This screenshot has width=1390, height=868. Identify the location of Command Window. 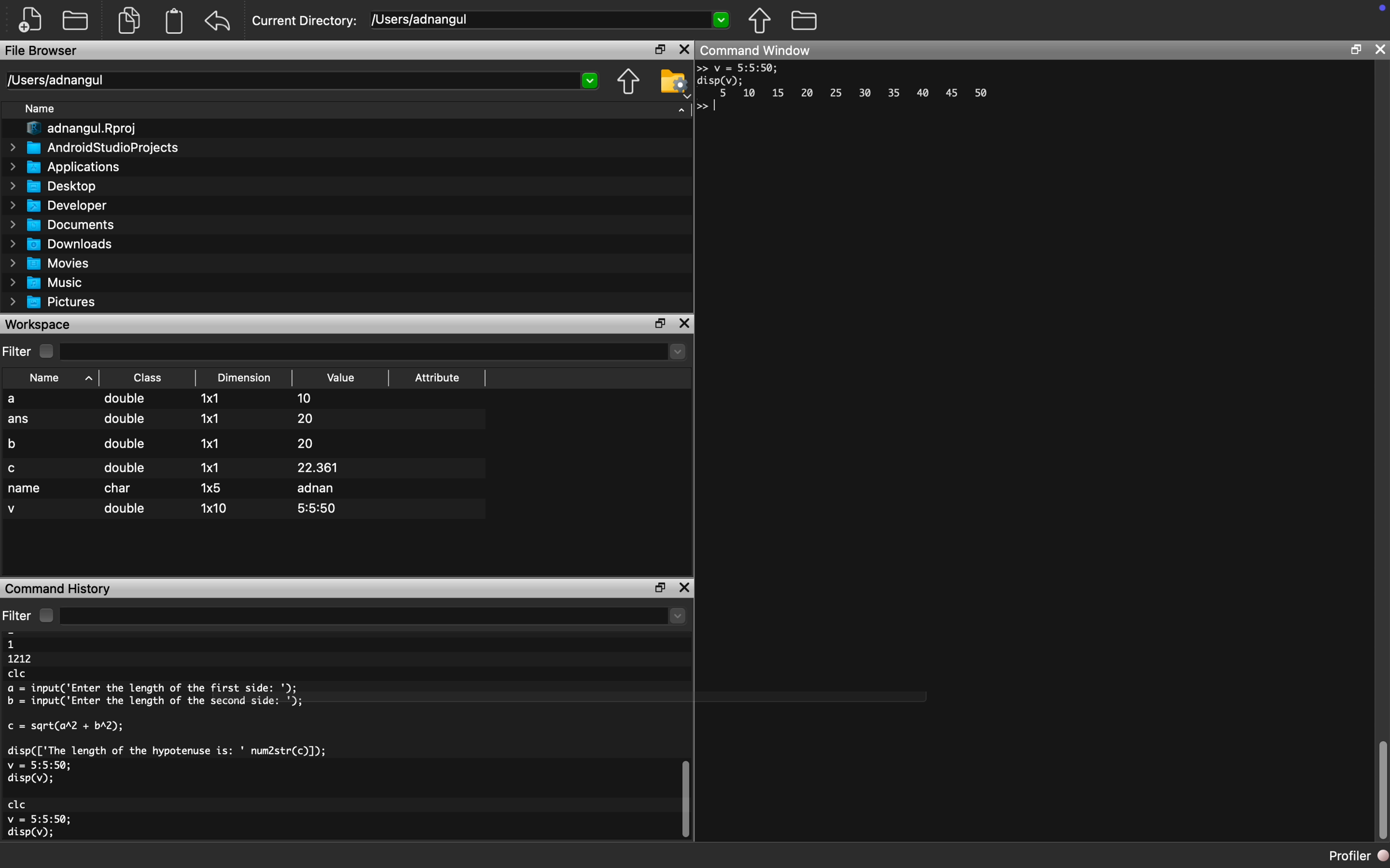
(754, 50).